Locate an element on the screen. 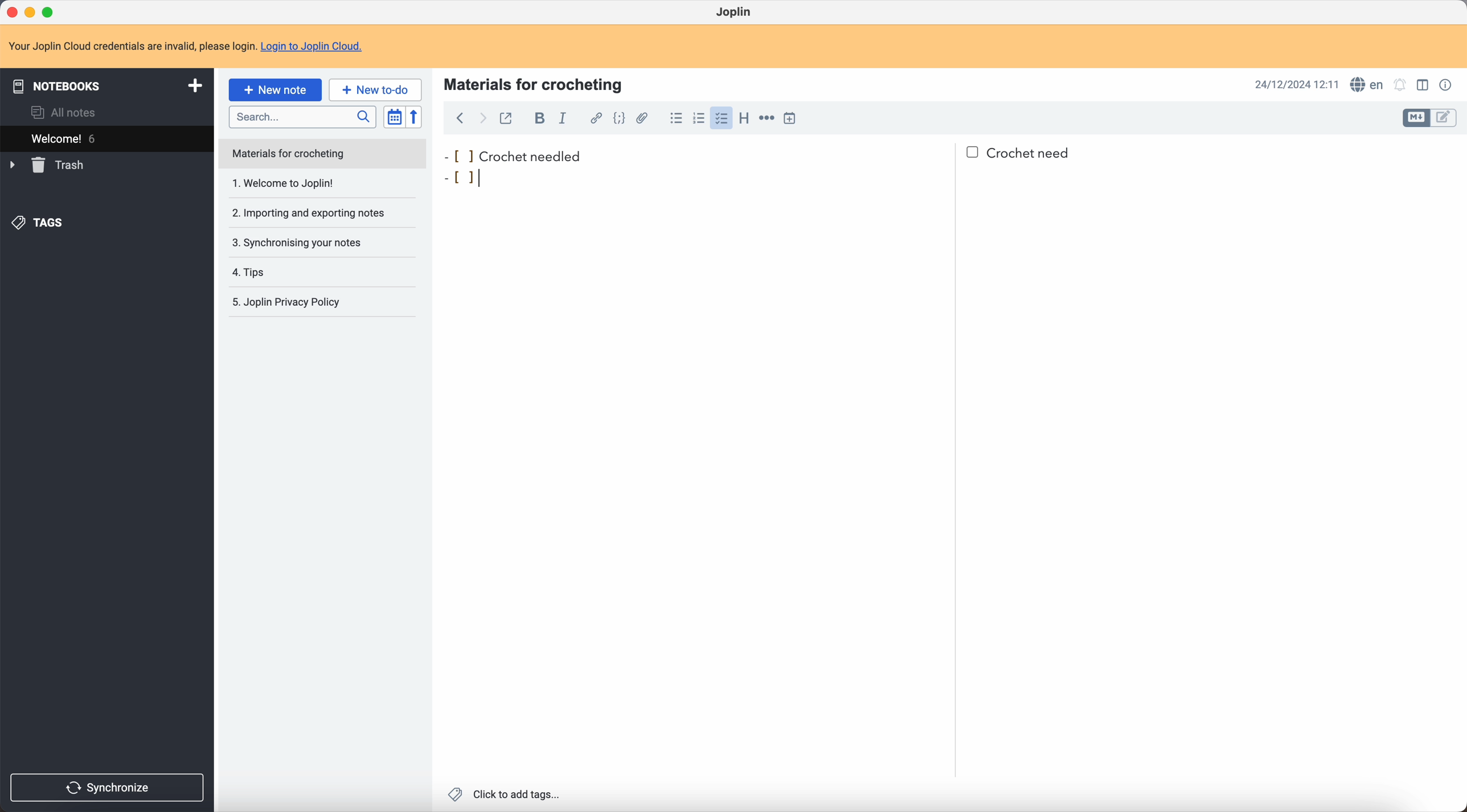 This screenshot has width=1467, height=812. materials for crocheting is located at coordinates (535, 83).